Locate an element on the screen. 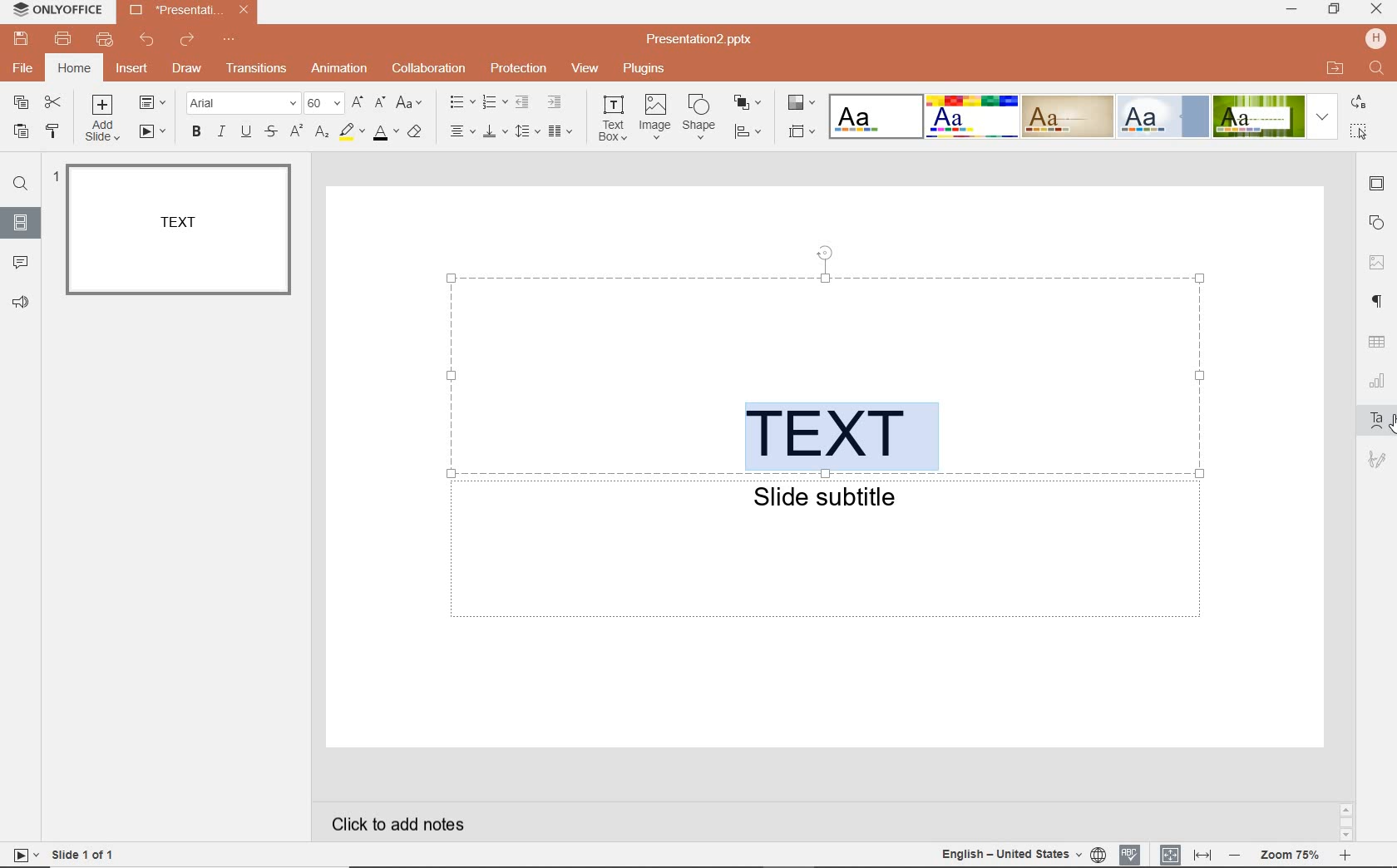  COPY STYLE is located at coordinates (52, 131).